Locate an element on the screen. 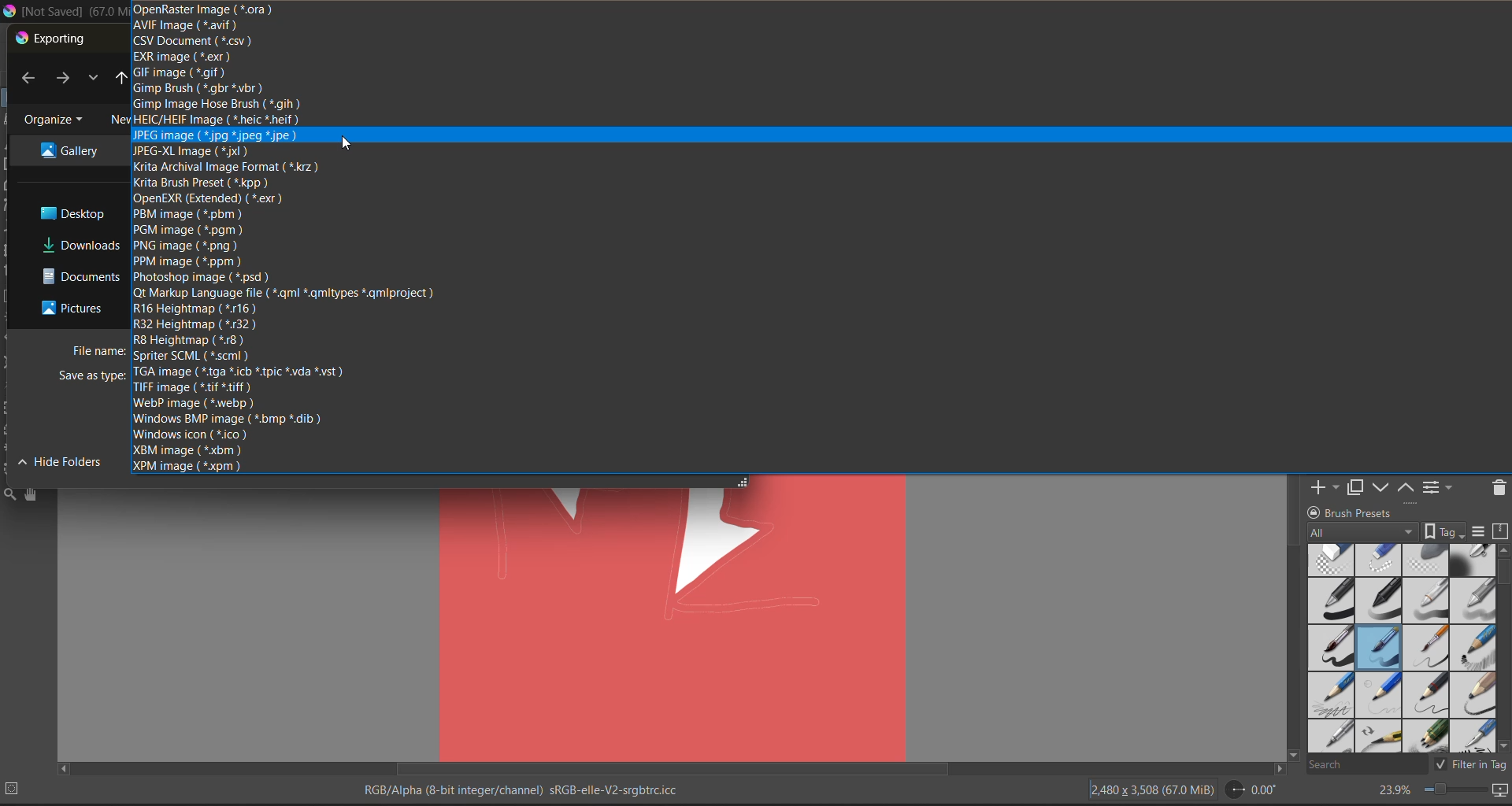 Image resolution: width=1512 pixels, height=806 pixels. exporting is located at coordinates (56, 39).